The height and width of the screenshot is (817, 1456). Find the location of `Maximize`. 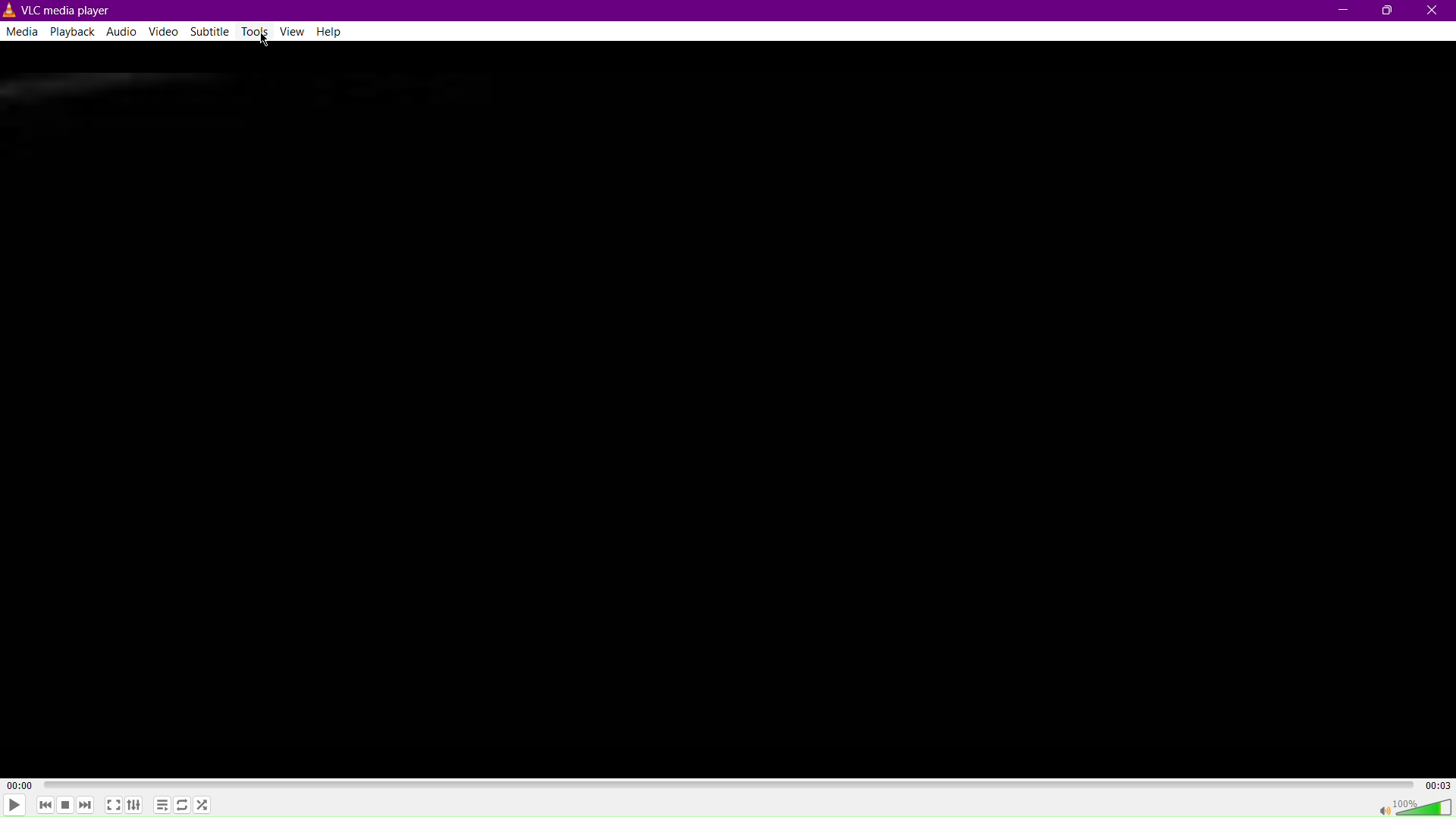

Maximize is located at coordinates (1389, 11).